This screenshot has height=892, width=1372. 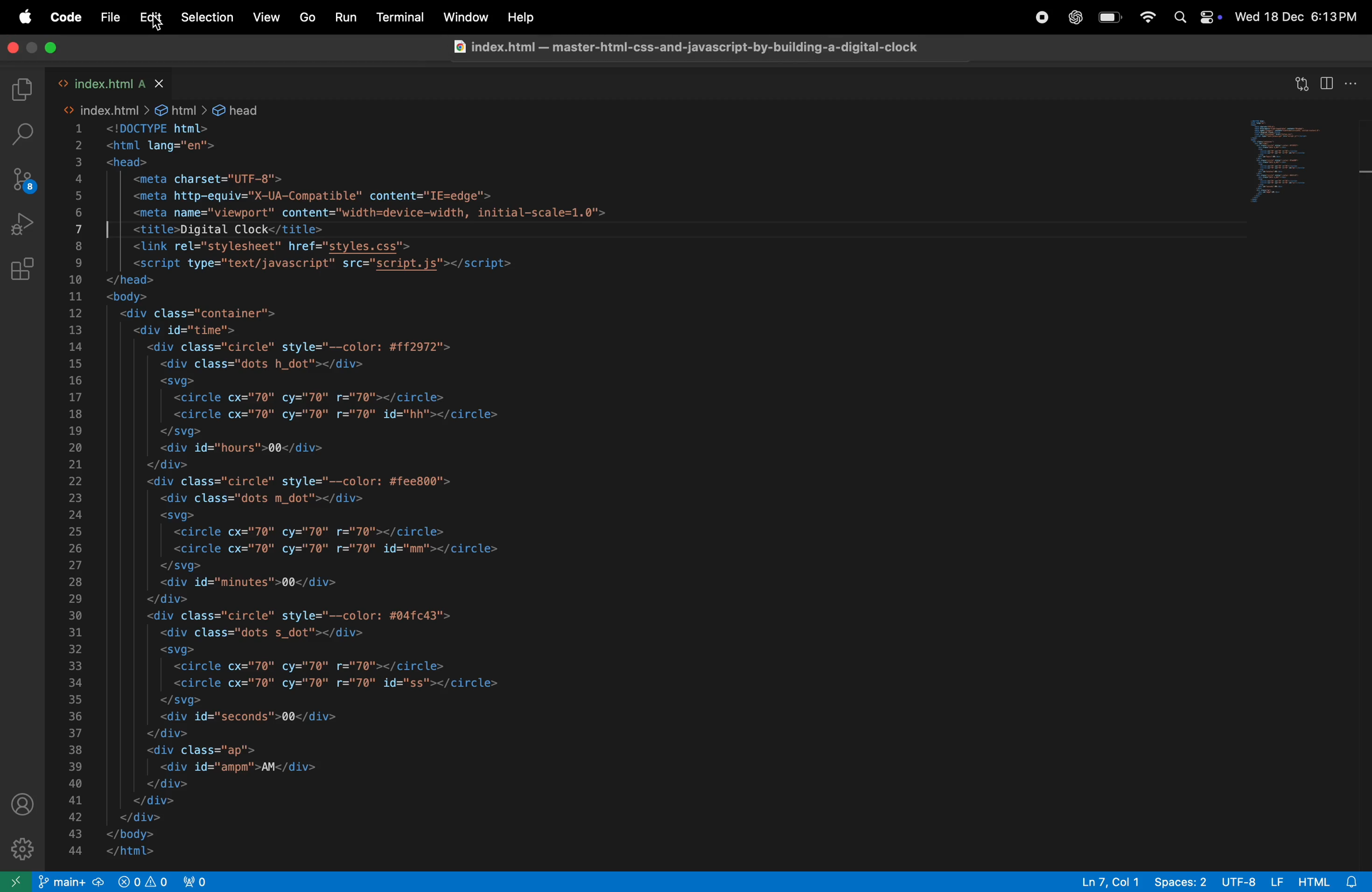 What do you see at coordinates (401, 18) in the screenshot?
I see `terminal` at bounding box center [401, 18].